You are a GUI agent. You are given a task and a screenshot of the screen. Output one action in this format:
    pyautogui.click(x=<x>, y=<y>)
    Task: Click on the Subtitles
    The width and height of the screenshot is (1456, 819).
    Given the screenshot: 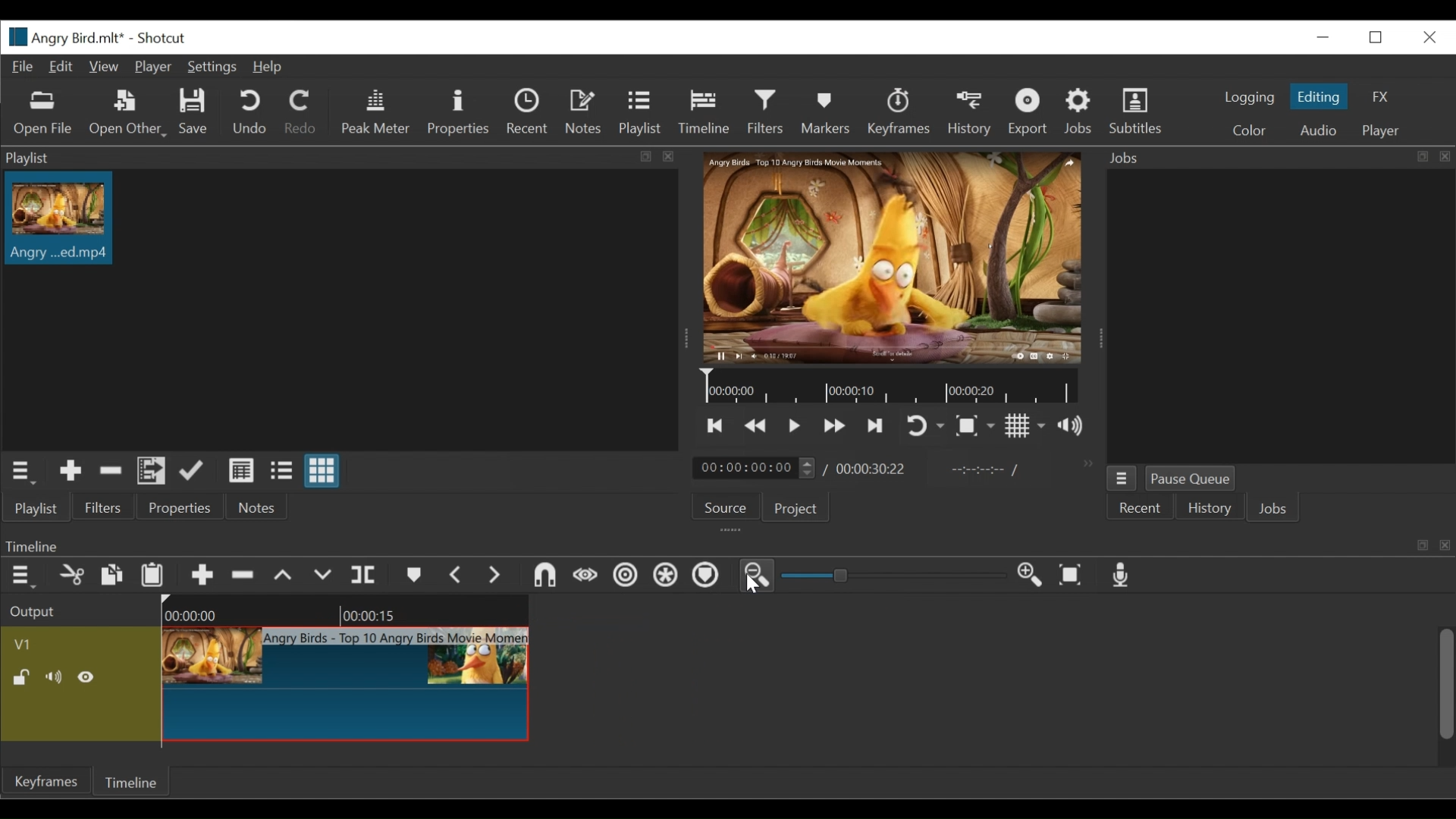 What is the action you would take?
    pyautogui.click(x=1136, y=111)
    